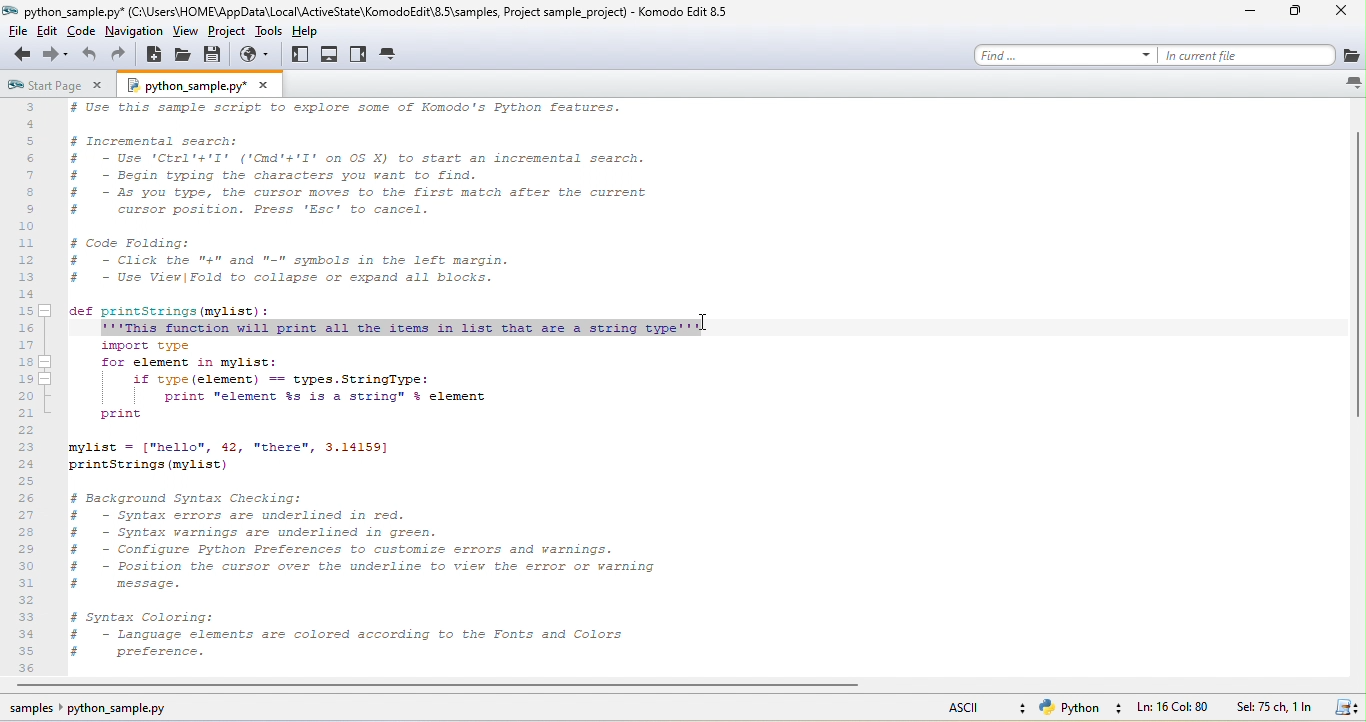 This screenshot has height=722, width=1366. I want to click on tools, so click(271, 31).